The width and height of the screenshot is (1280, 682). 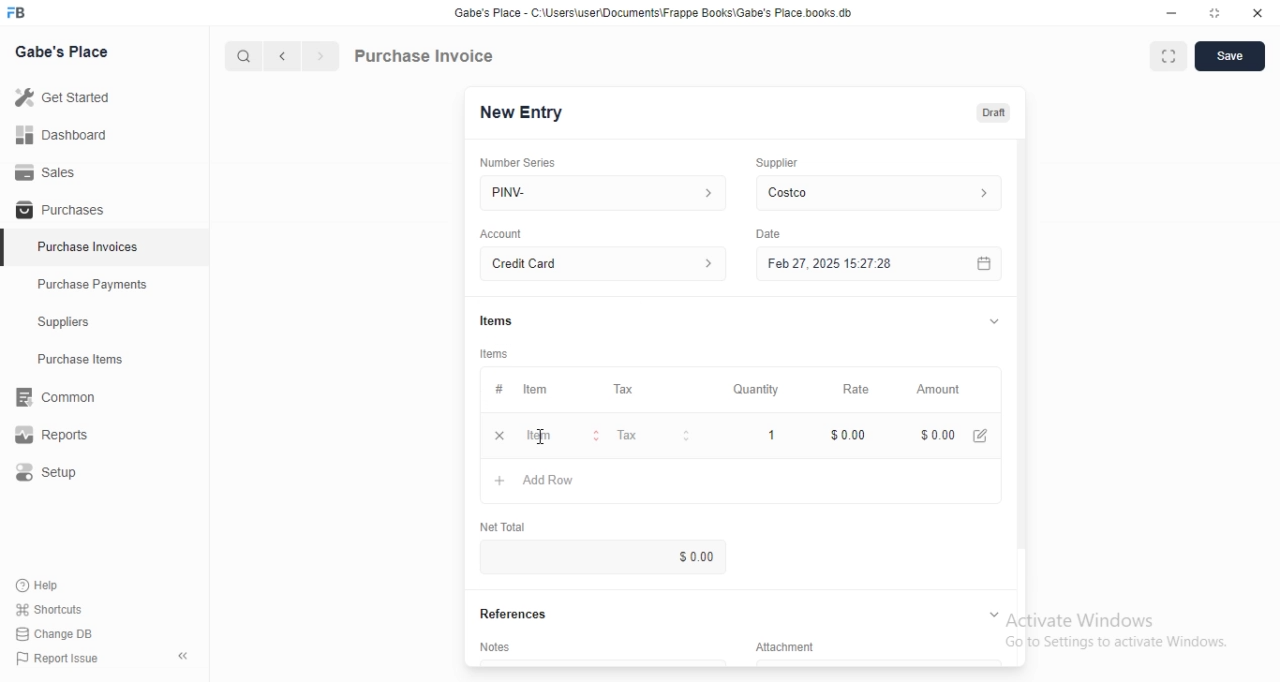 What do you see at coordinates (651, 435) in the screenshot?
I see `Tax` at bounding box center [651, 435].